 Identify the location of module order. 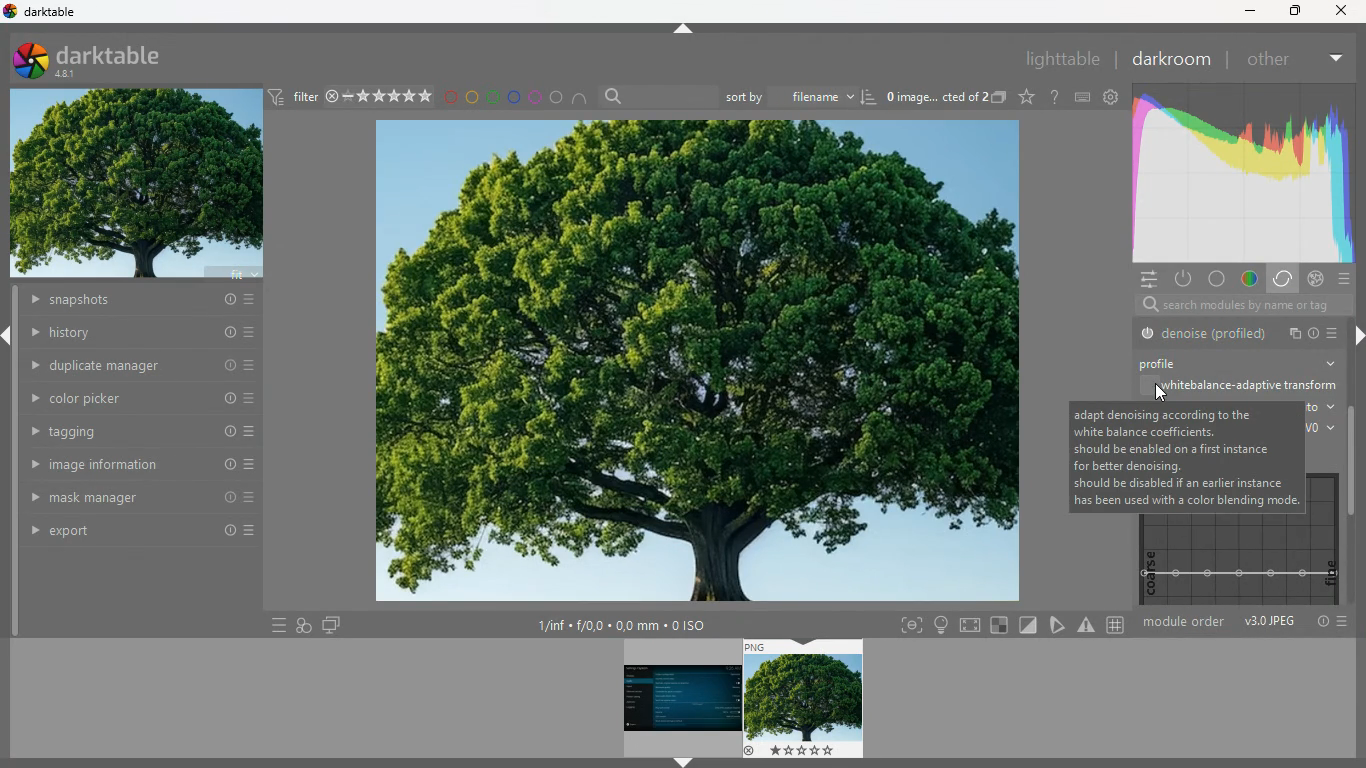
(1186, 624).